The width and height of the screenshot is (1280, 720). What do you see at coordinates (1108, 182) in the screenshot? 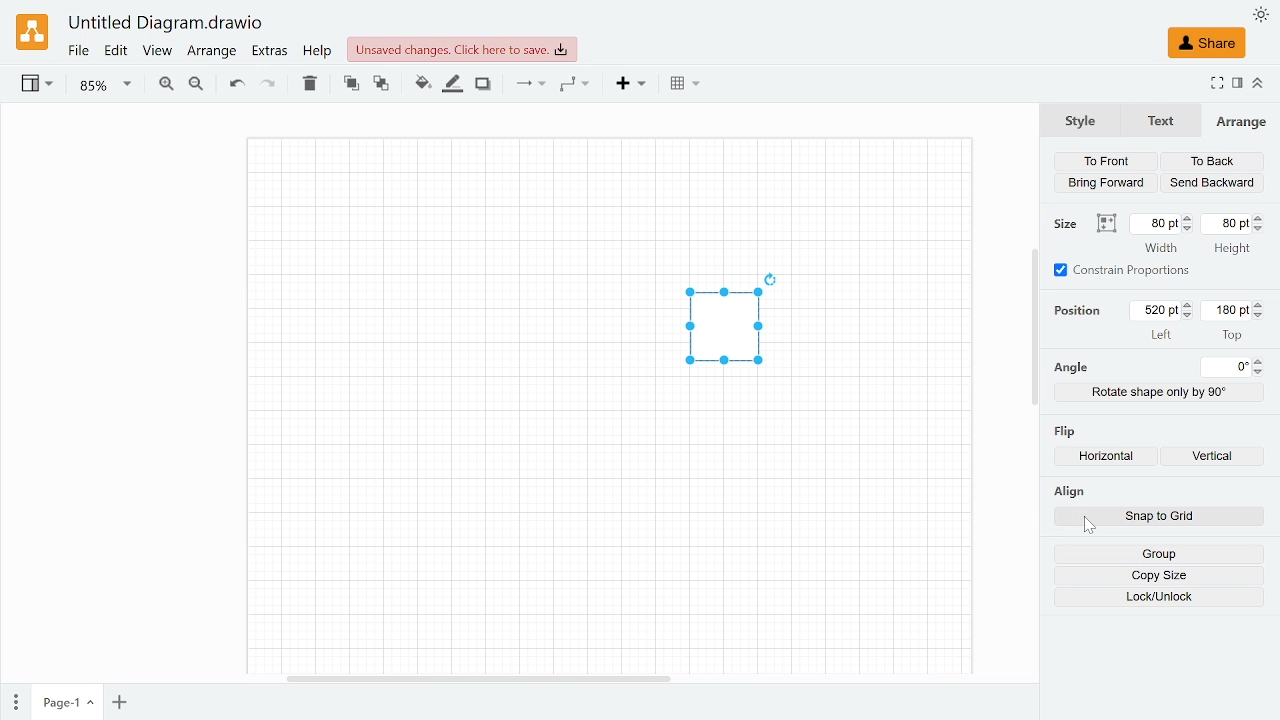
I see `Bring forward` at bounding box center [1108, 182].